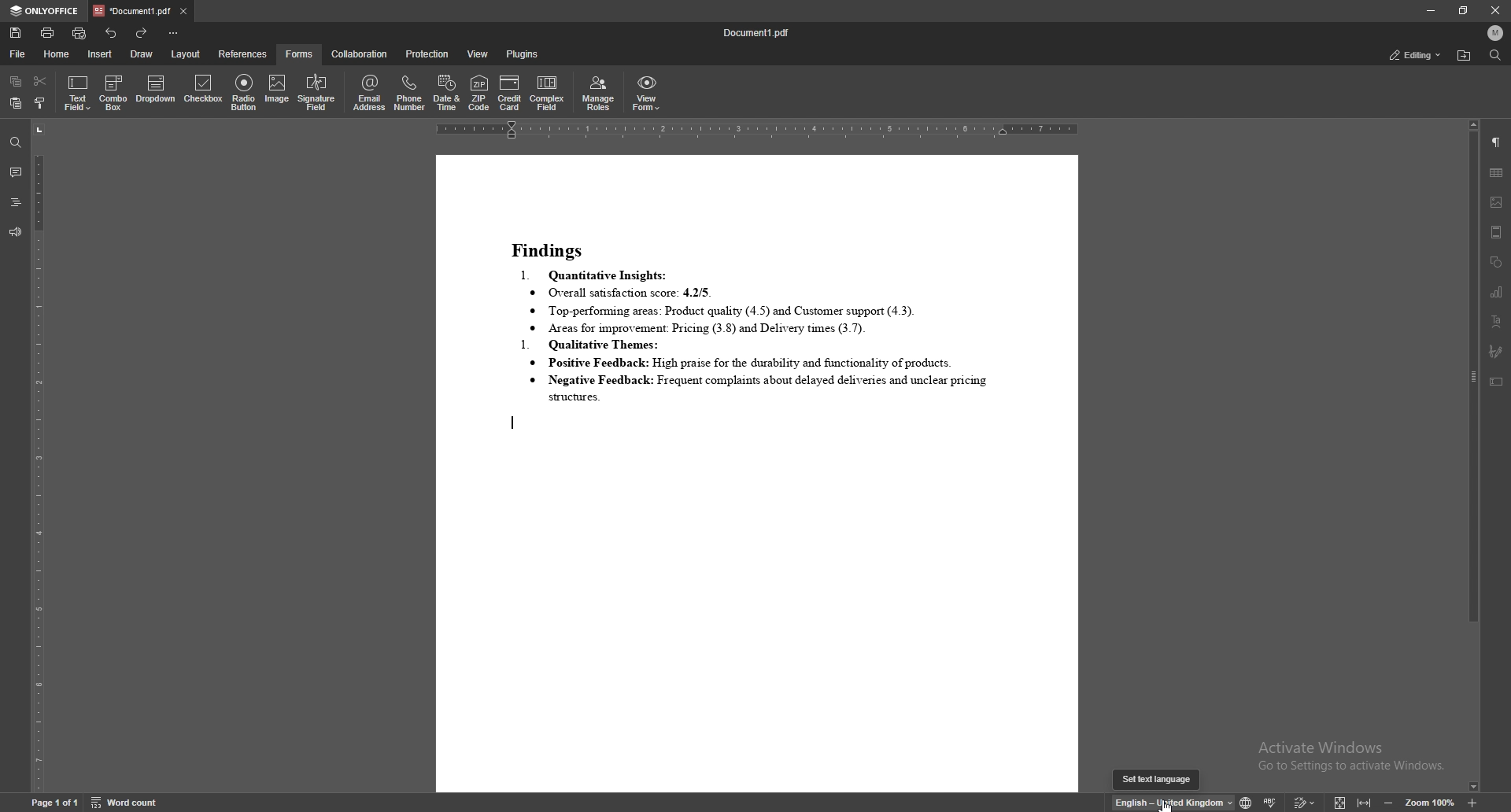  Describe the element at coordinates (1158, 780) in the screenshot. I see `cursor description` at that location.